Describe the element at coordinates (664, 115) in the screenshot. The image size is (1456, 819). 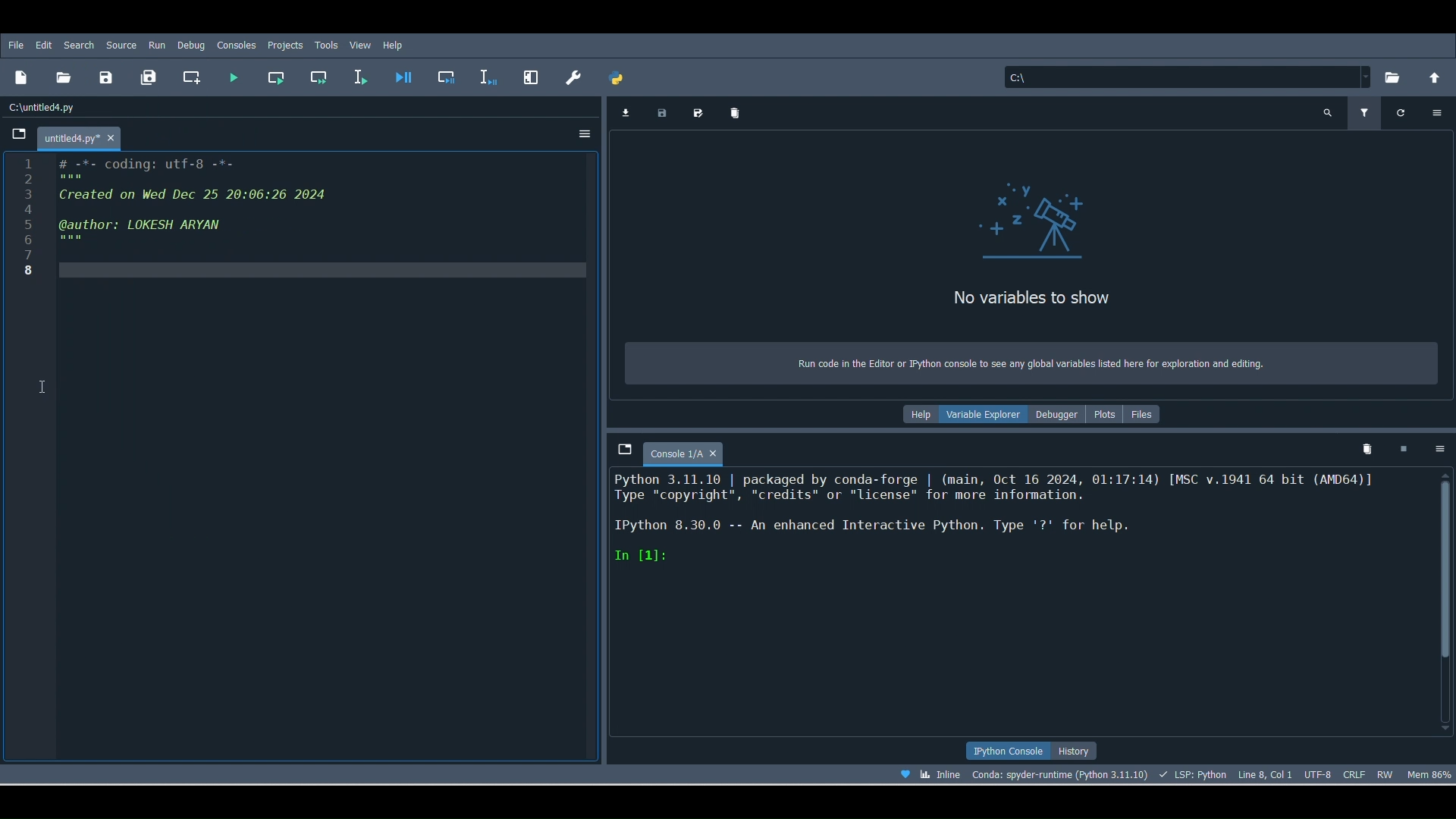
I see `Save data` at that location.